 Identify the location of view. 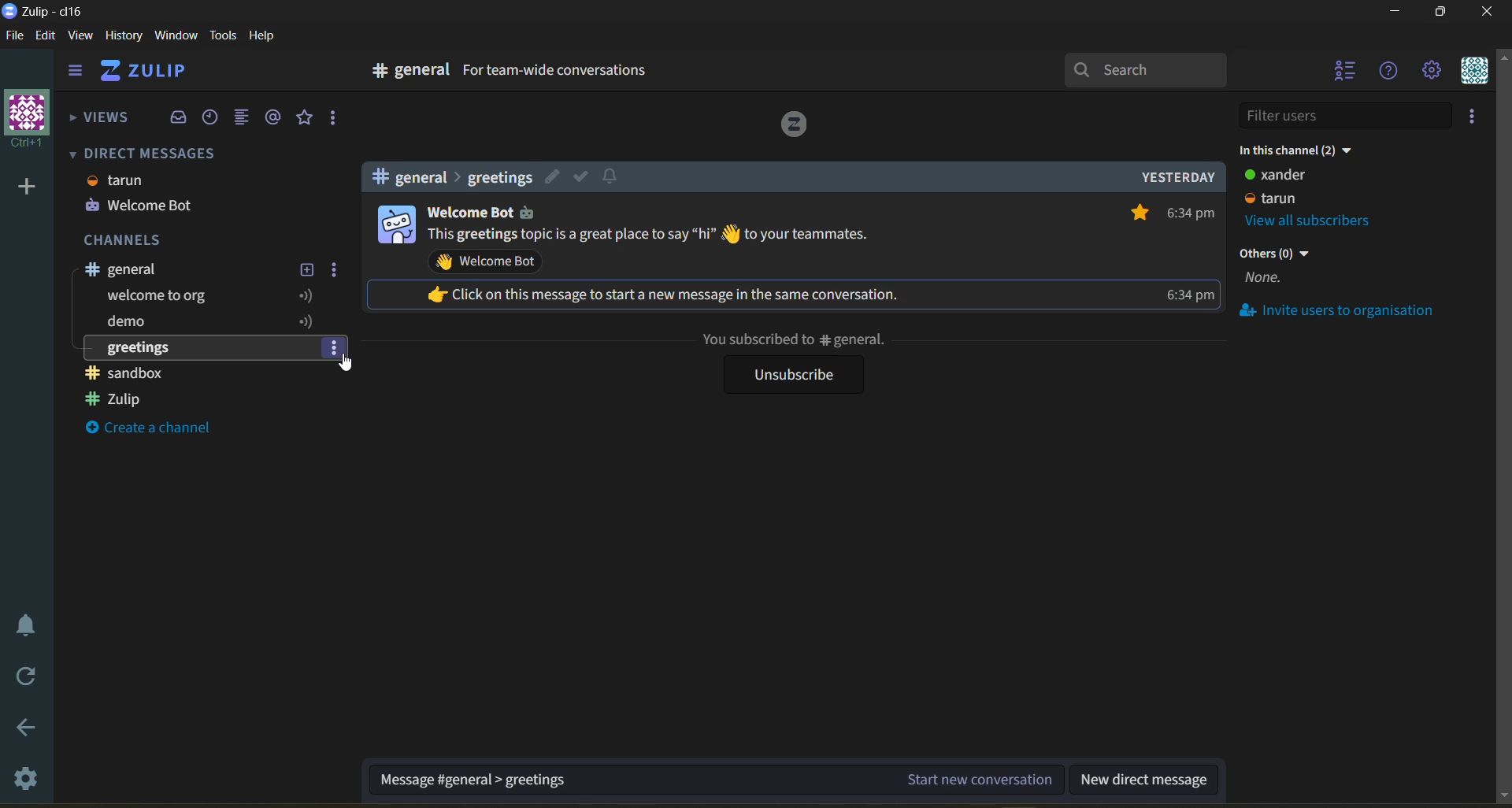
(79, 38).